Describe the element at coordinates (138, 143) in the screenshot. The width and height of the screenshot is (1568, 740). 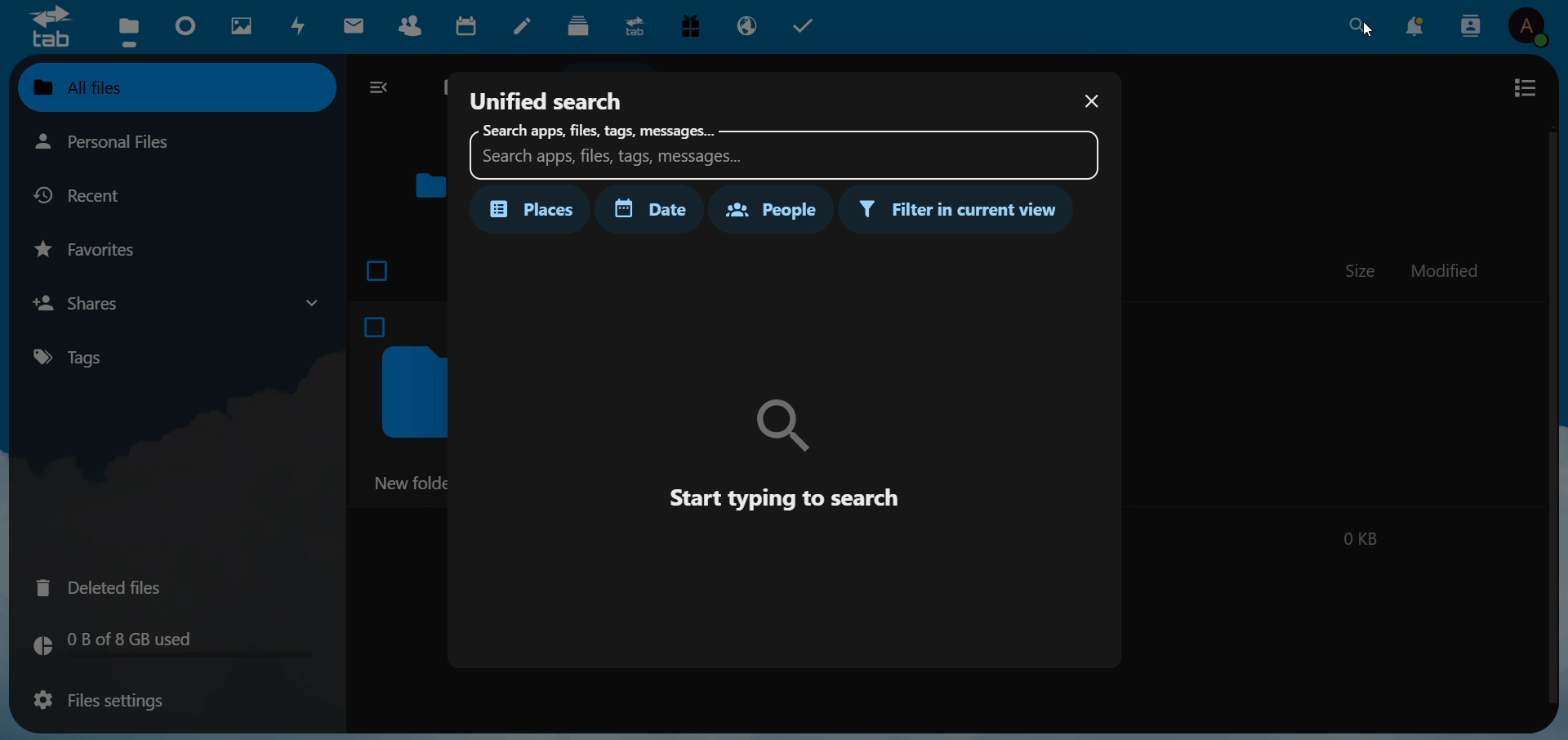
I see `personal` at that location.